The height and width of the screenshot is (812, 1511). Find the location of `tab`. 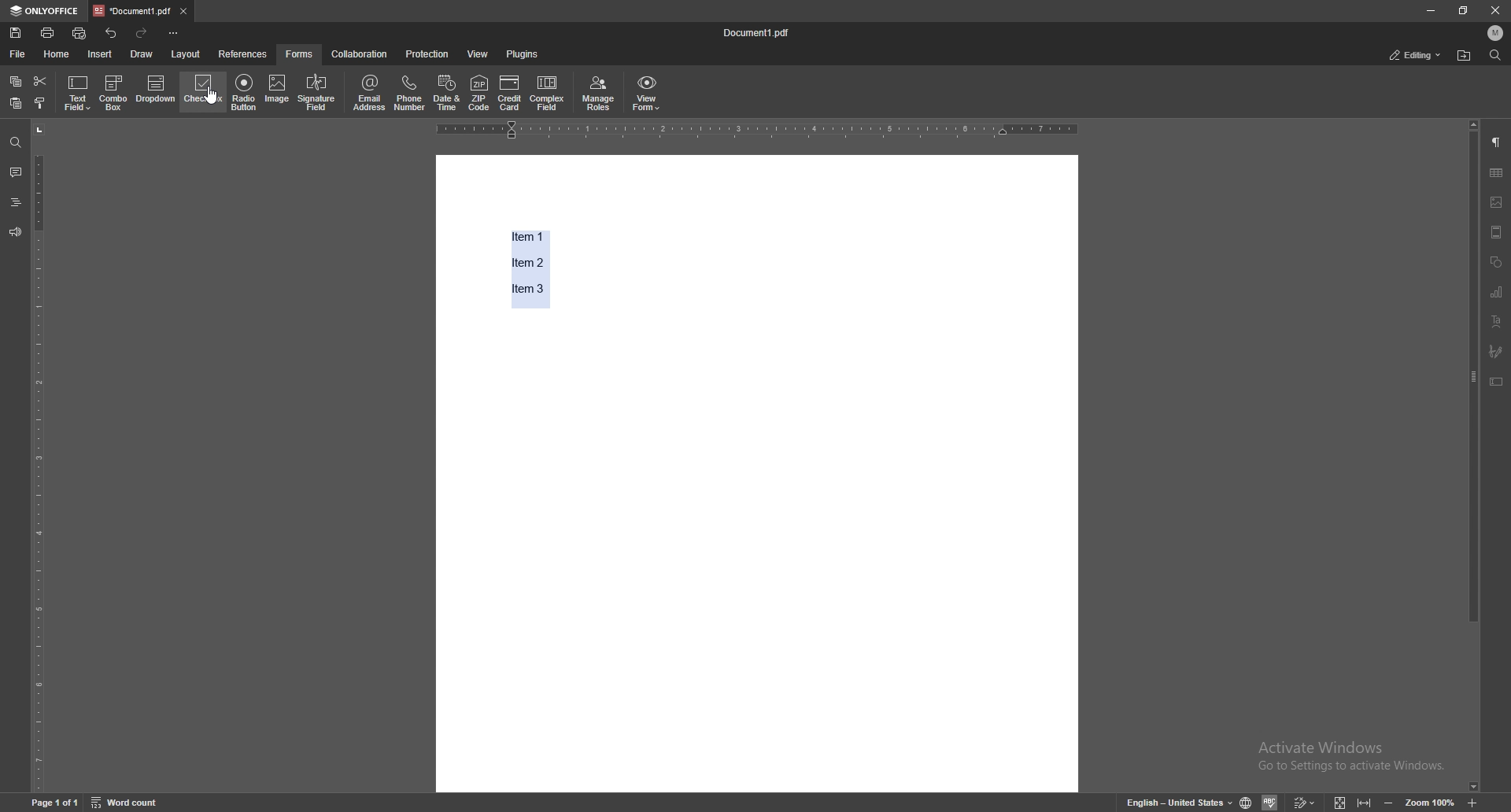

tab is located at coordinates (132, 10).